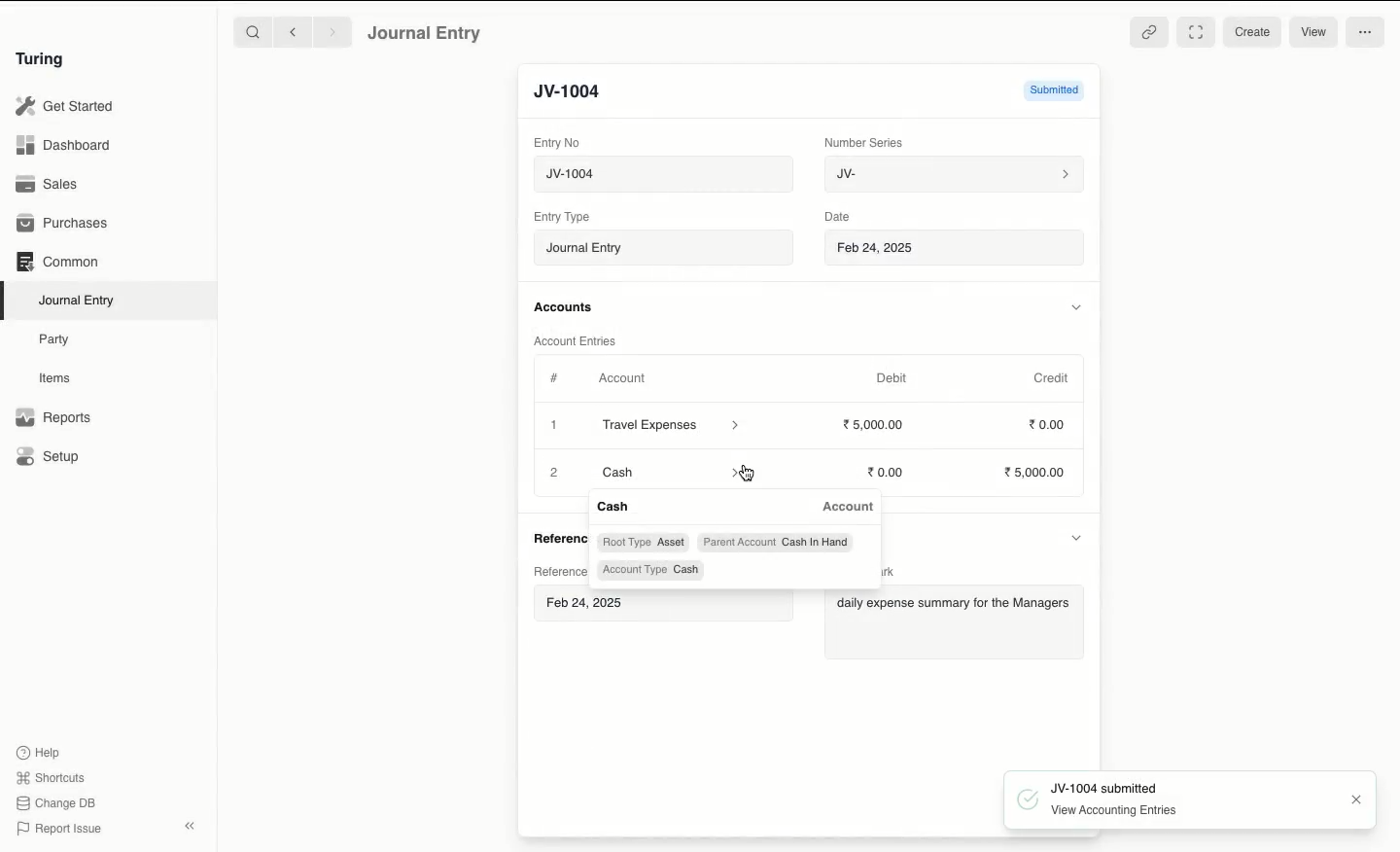 The height and width of the screenshot is (852, 1400). What do you see at coordinates (61, 830) in the screenshot?
I see `Report Issue` at bounding box center [61, 830].